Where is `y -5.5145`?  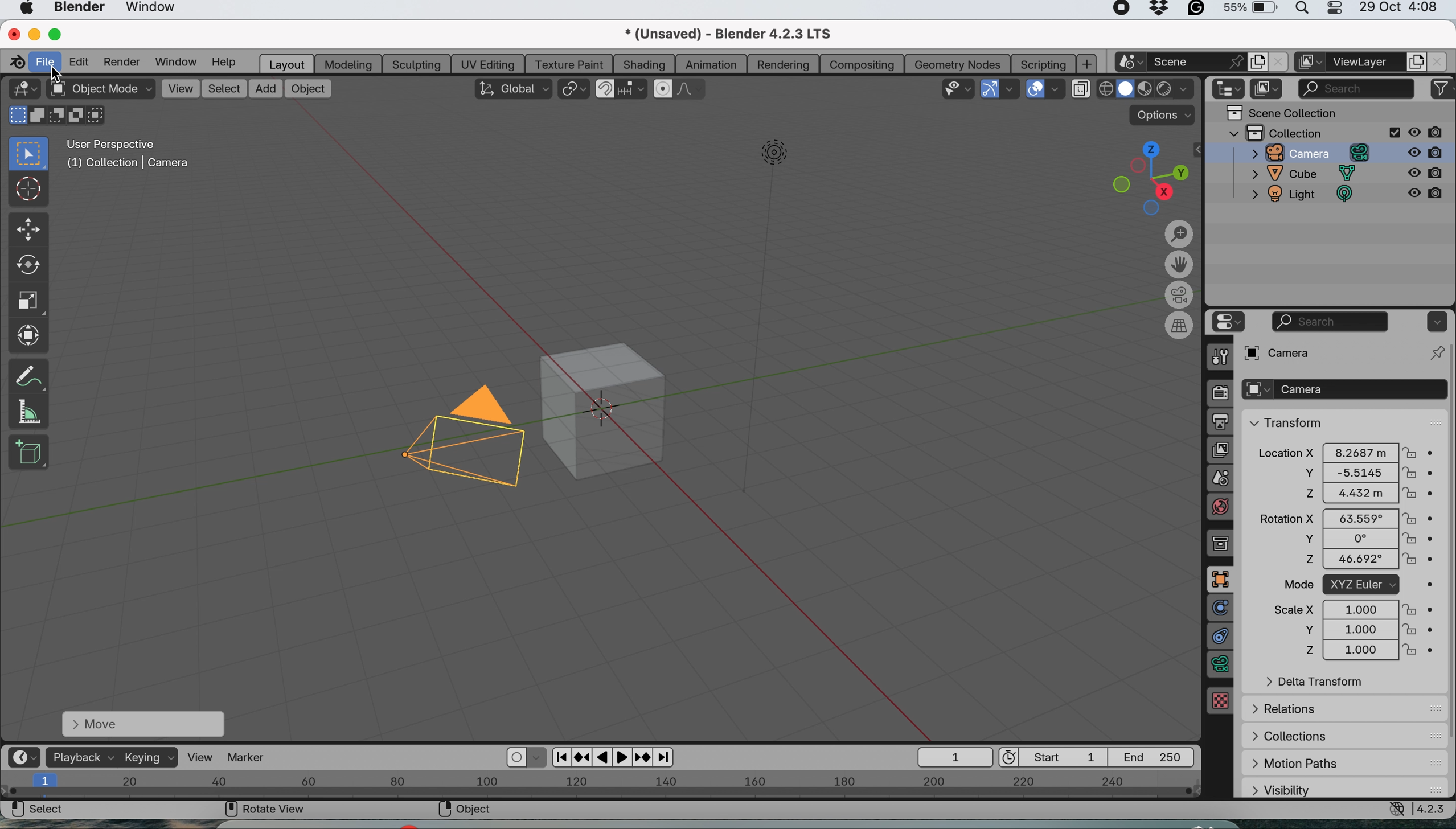
y -5.5145 is located at coordinates (1355, 474).